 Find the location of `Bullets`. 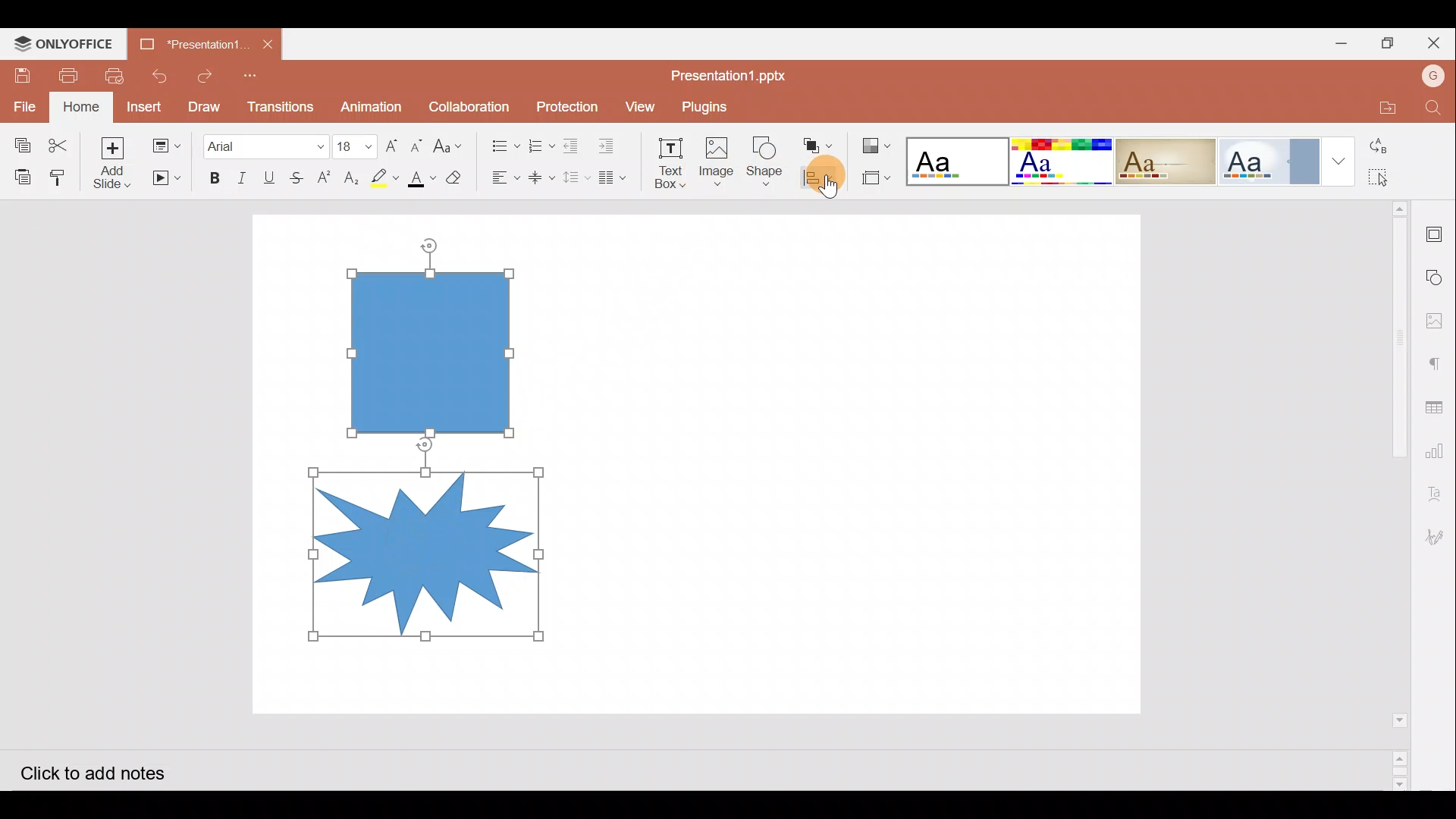

Bullets is located at coordinates (500, 142).